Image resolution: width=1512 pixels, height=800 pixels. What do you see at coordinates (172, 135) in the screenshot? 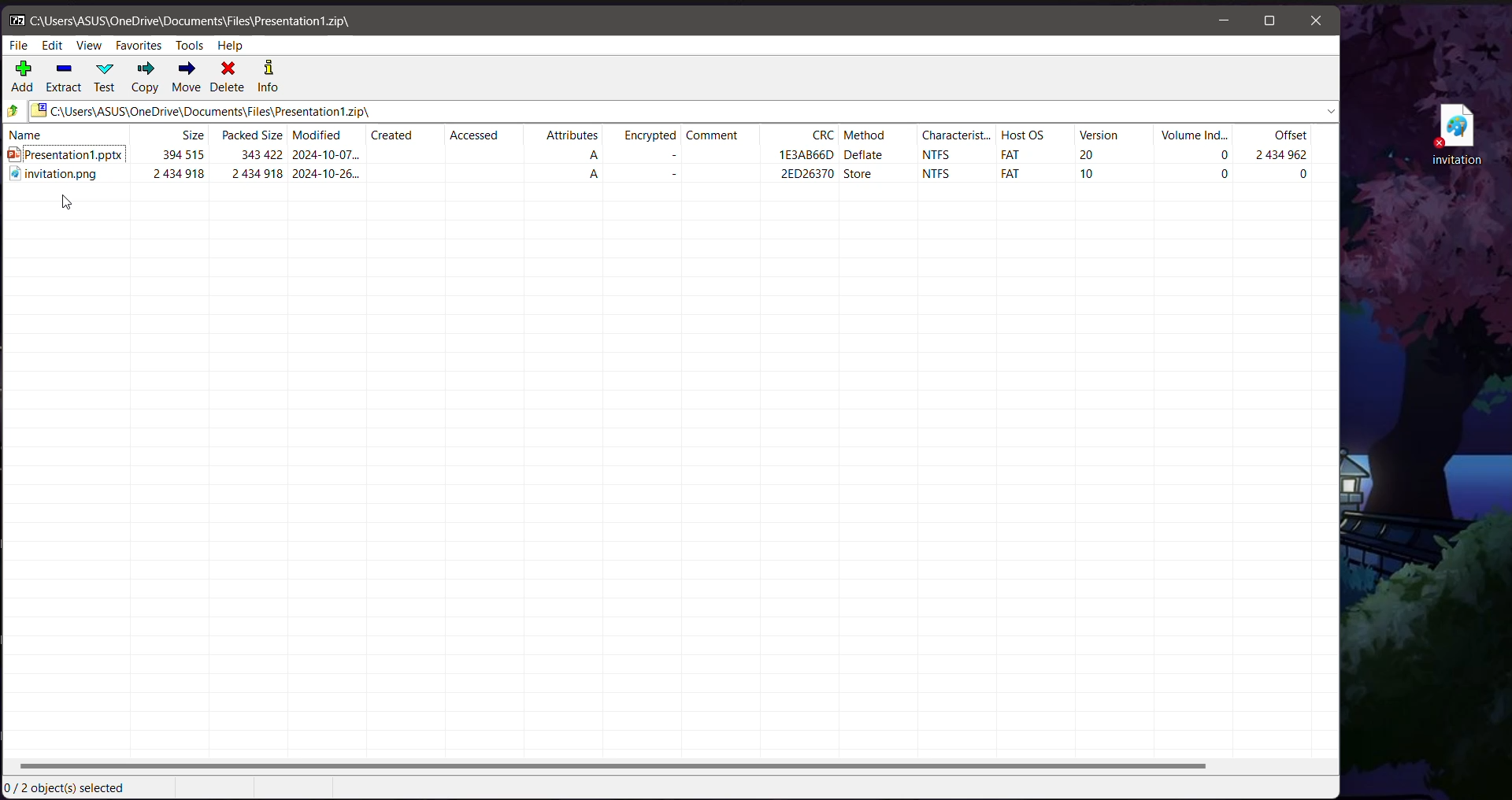
I see `Size` at bounding box center [172, 135].